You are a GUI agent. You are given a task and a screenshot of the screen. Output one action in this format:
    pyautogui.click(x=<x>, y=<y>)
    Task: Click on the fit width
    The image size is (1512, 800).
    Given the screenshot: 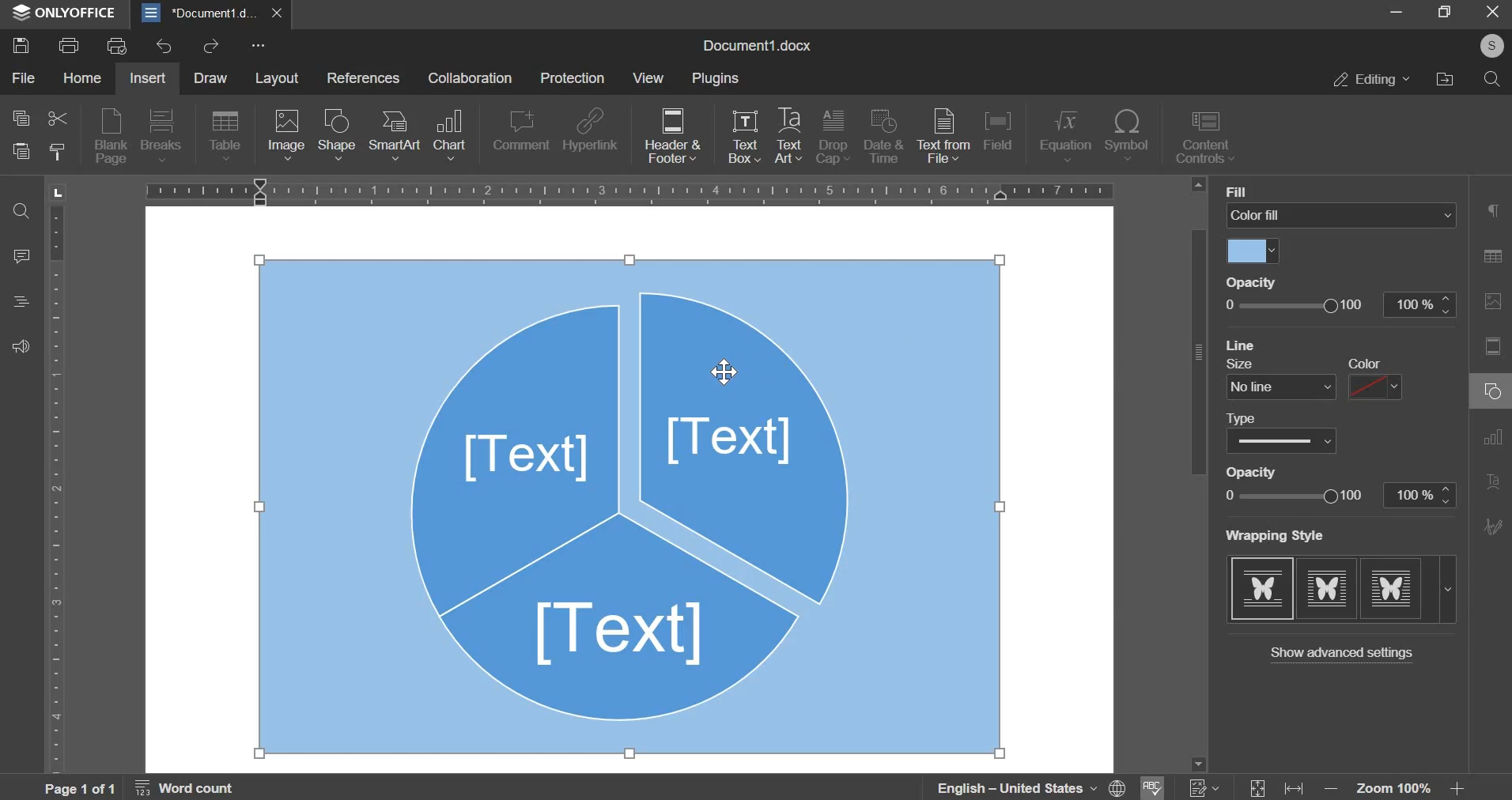 What is the action you would take?
    pyautogui.click(x=1300, y=783)
    